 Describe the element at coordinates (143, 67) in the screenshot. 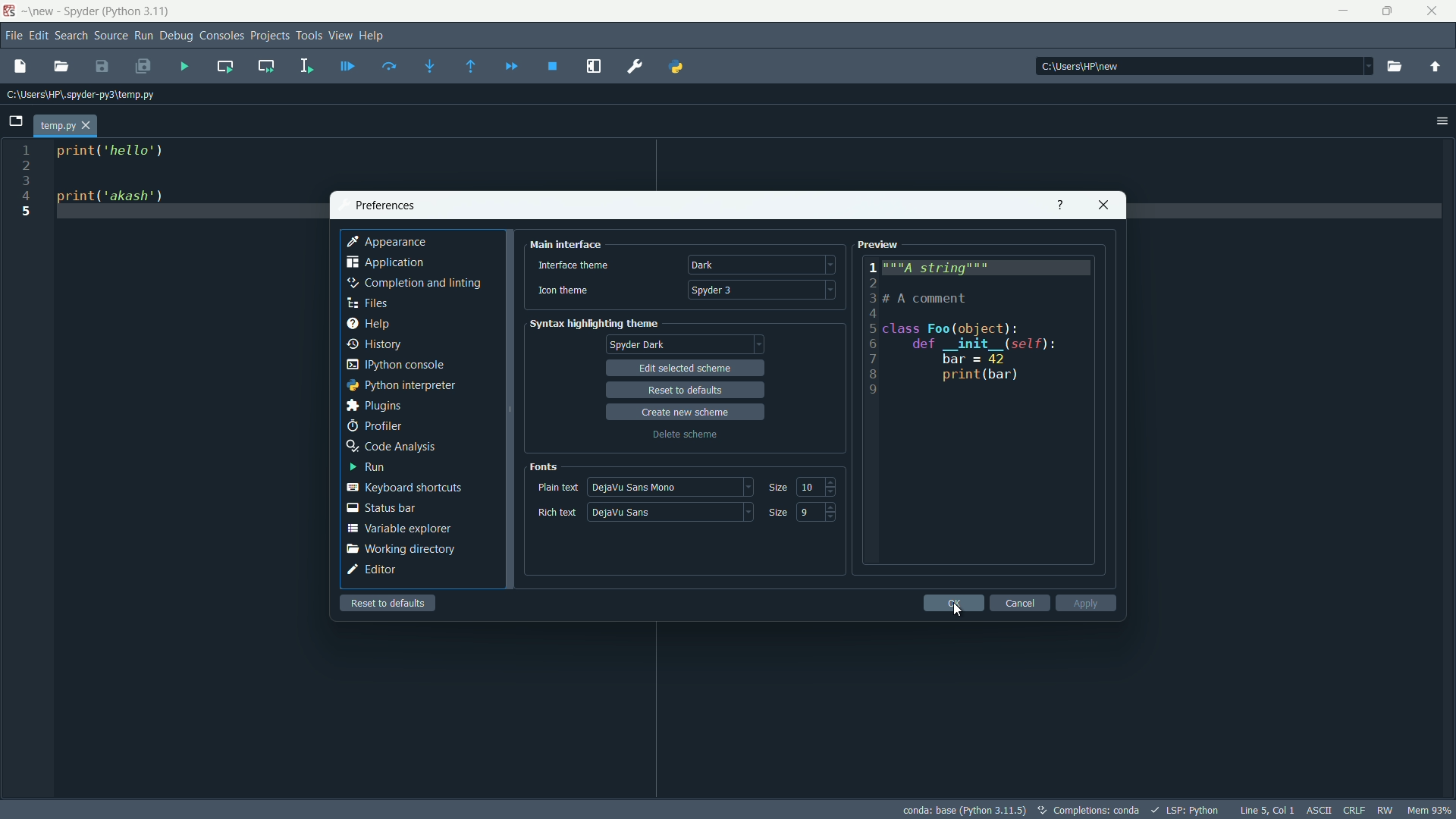

I see `save all files` at that location.